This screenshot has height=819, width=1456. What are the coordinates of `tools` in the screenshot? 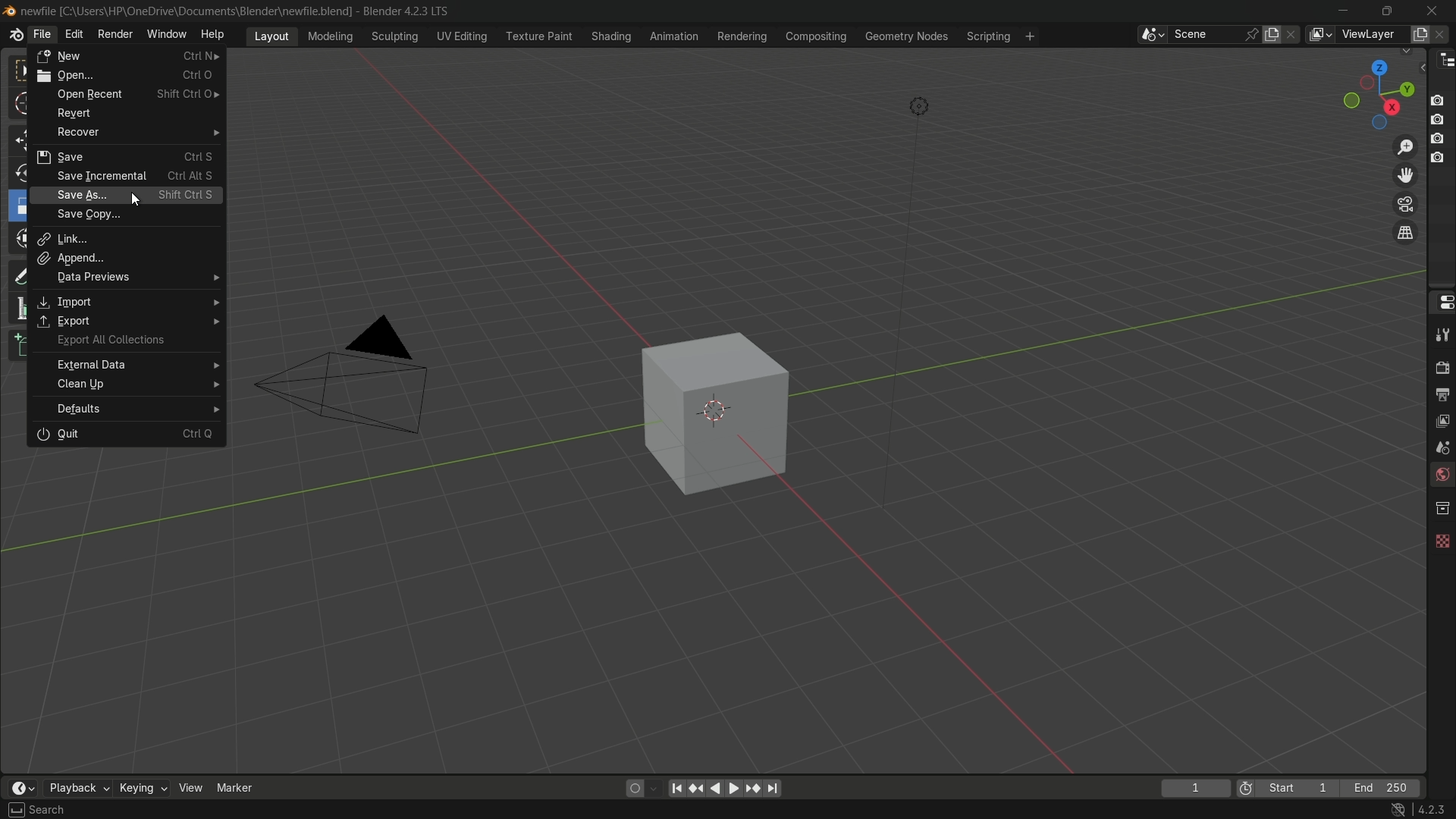 It's located at (1441, 334).